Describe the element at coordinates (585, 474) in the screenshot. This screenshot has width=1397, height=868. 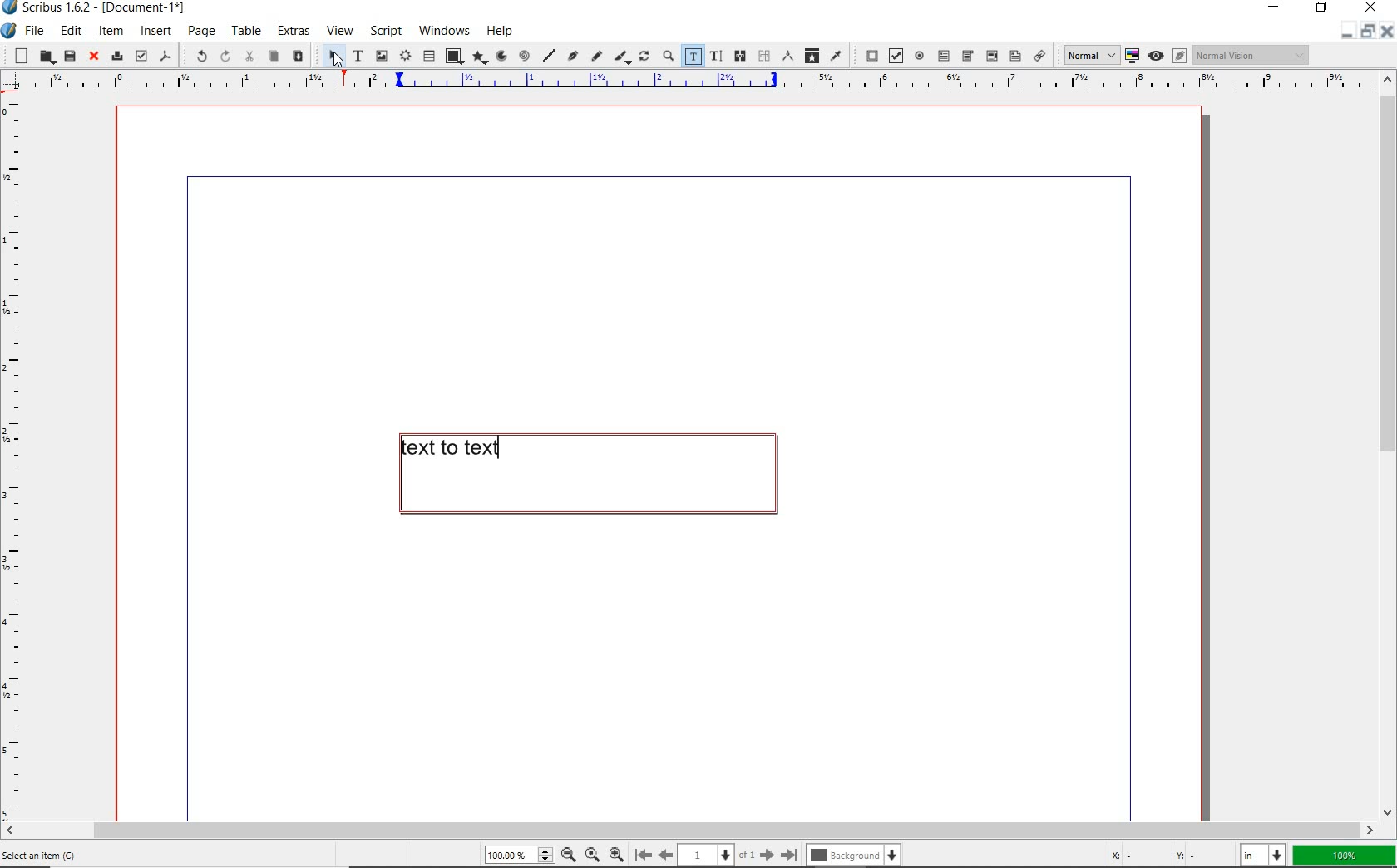
I see `text to text` at that location.